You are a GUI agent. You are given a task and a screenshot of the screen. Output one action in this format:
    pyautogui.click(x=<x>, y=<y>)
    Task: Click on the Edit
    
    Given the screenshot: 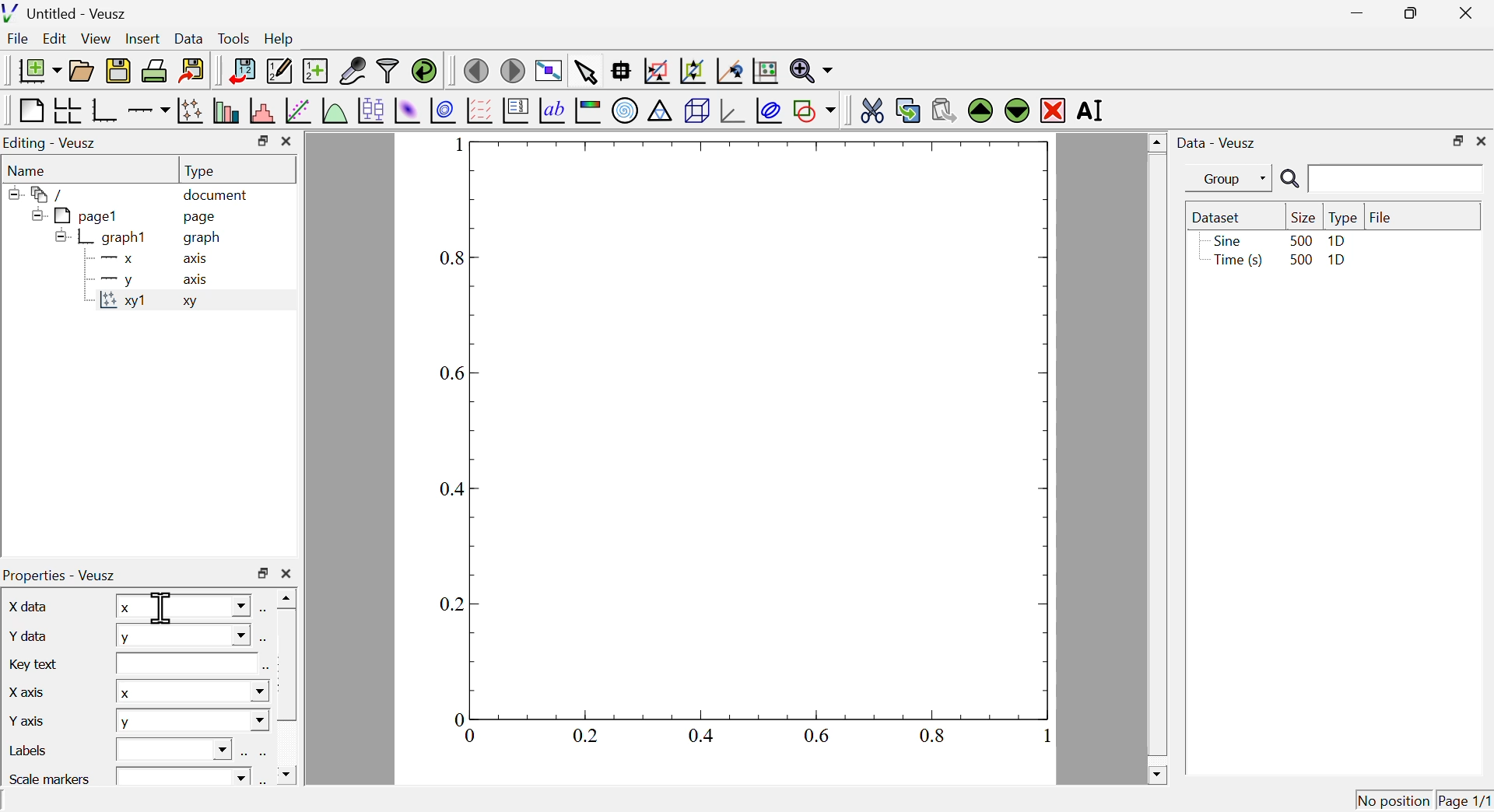 What is the action you would take?
    pyautogui.click(x=55, y=40)
    